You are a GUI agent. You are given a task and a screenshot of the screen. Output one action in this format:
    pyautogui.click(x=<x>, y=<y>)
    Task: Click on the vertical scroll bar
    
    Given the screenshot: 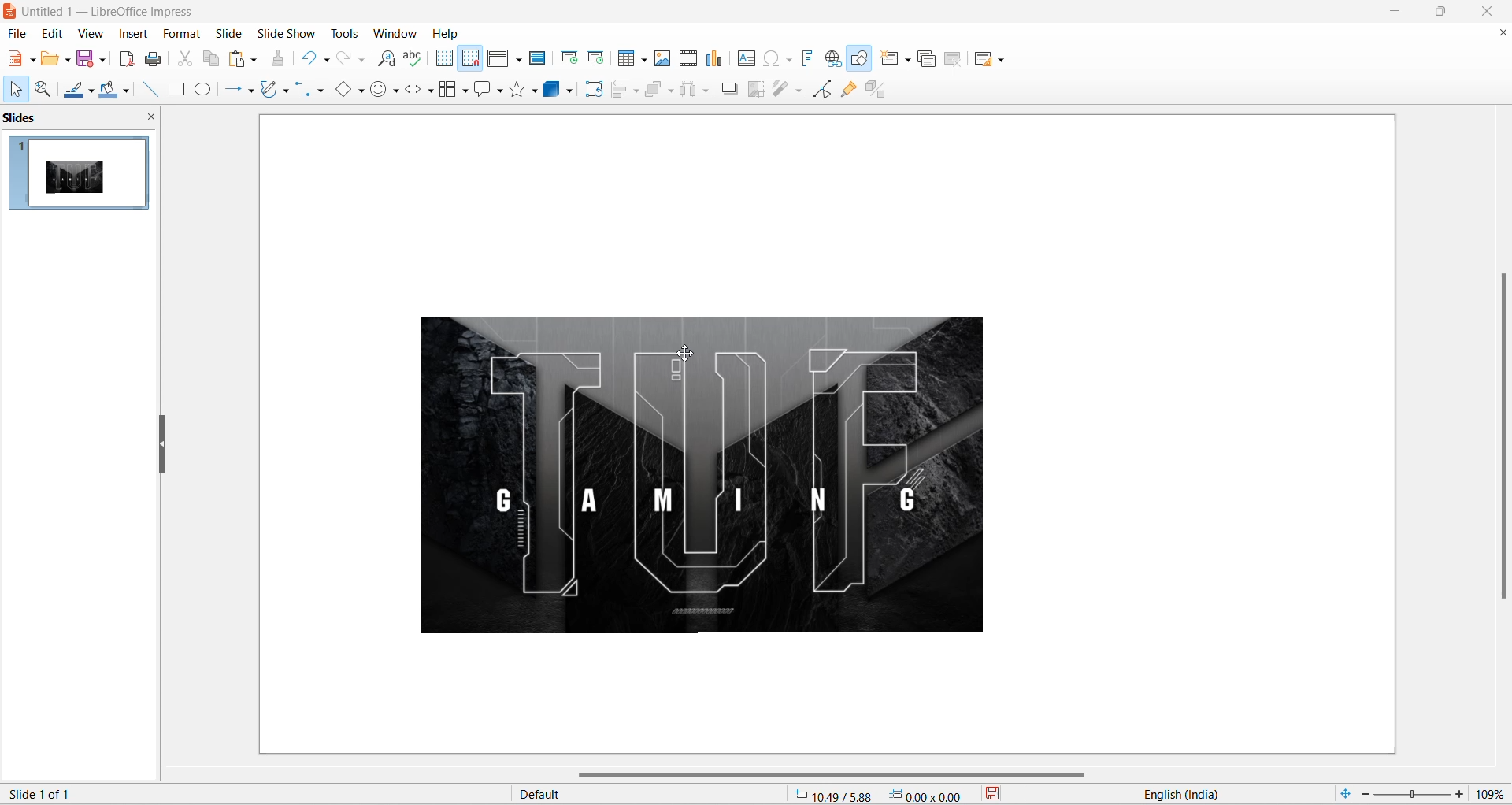 What is the action you would take?
    pyautogui.click(x=1503, y=434)
    